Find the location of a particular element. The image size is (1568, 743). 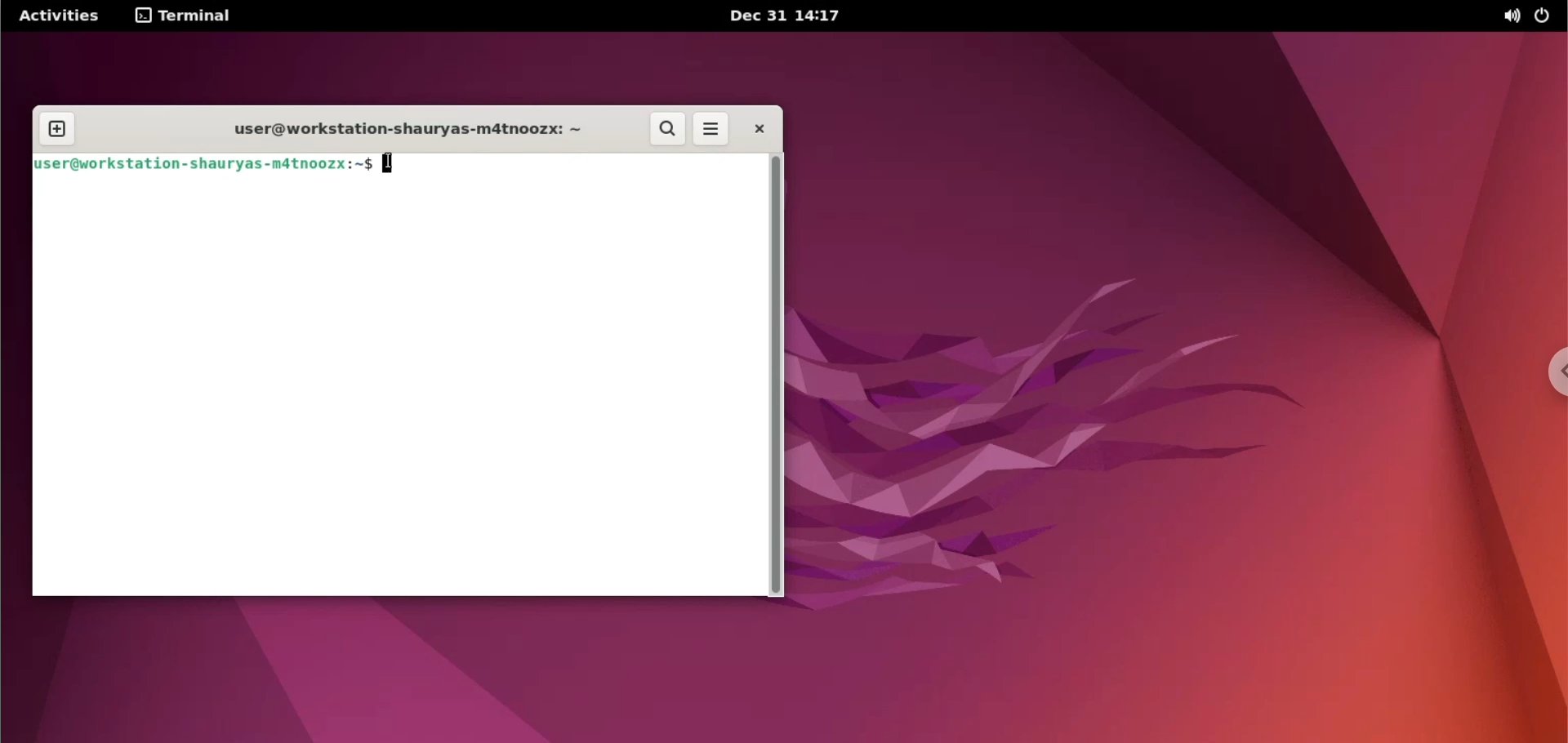

terminal  is located at coordinates (185, 16).